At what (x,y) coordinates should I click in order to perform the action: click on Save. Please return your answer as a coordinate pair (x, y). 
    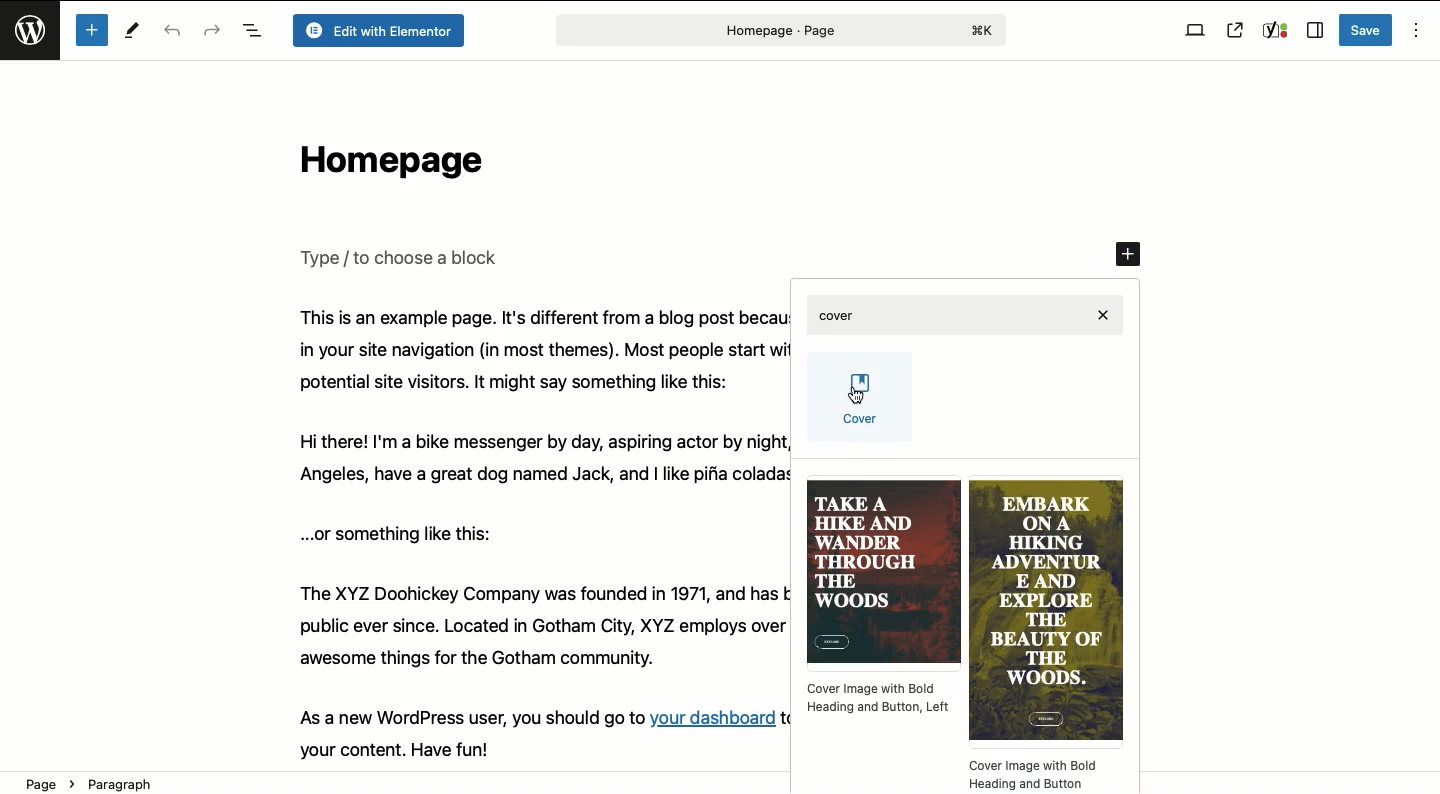
    Looking at the image, I should click on (1367, 30).